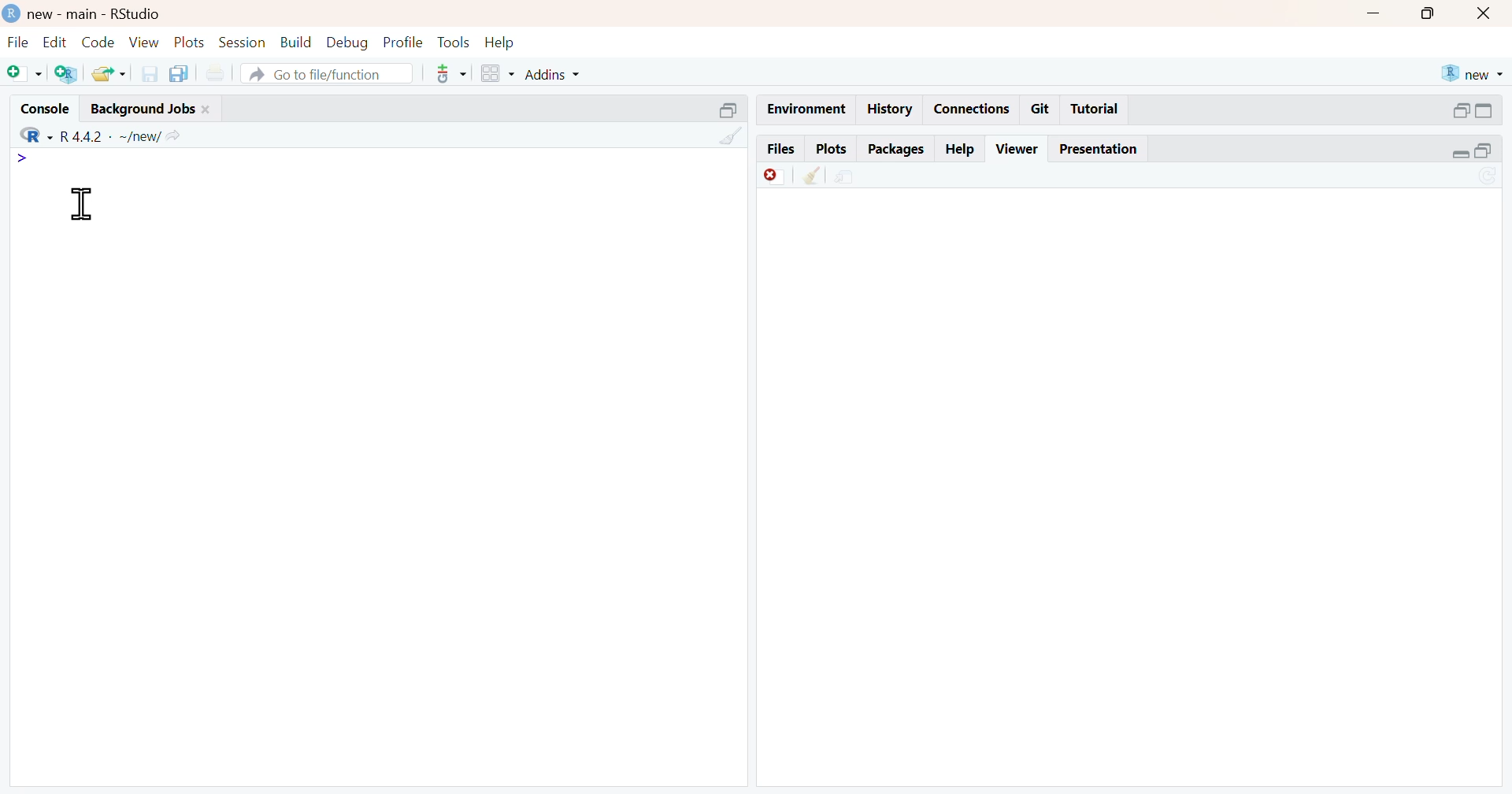  What do you see at coordinates (243, 42) in the screenshot?
I see `session` at bounding box center [243, 42].